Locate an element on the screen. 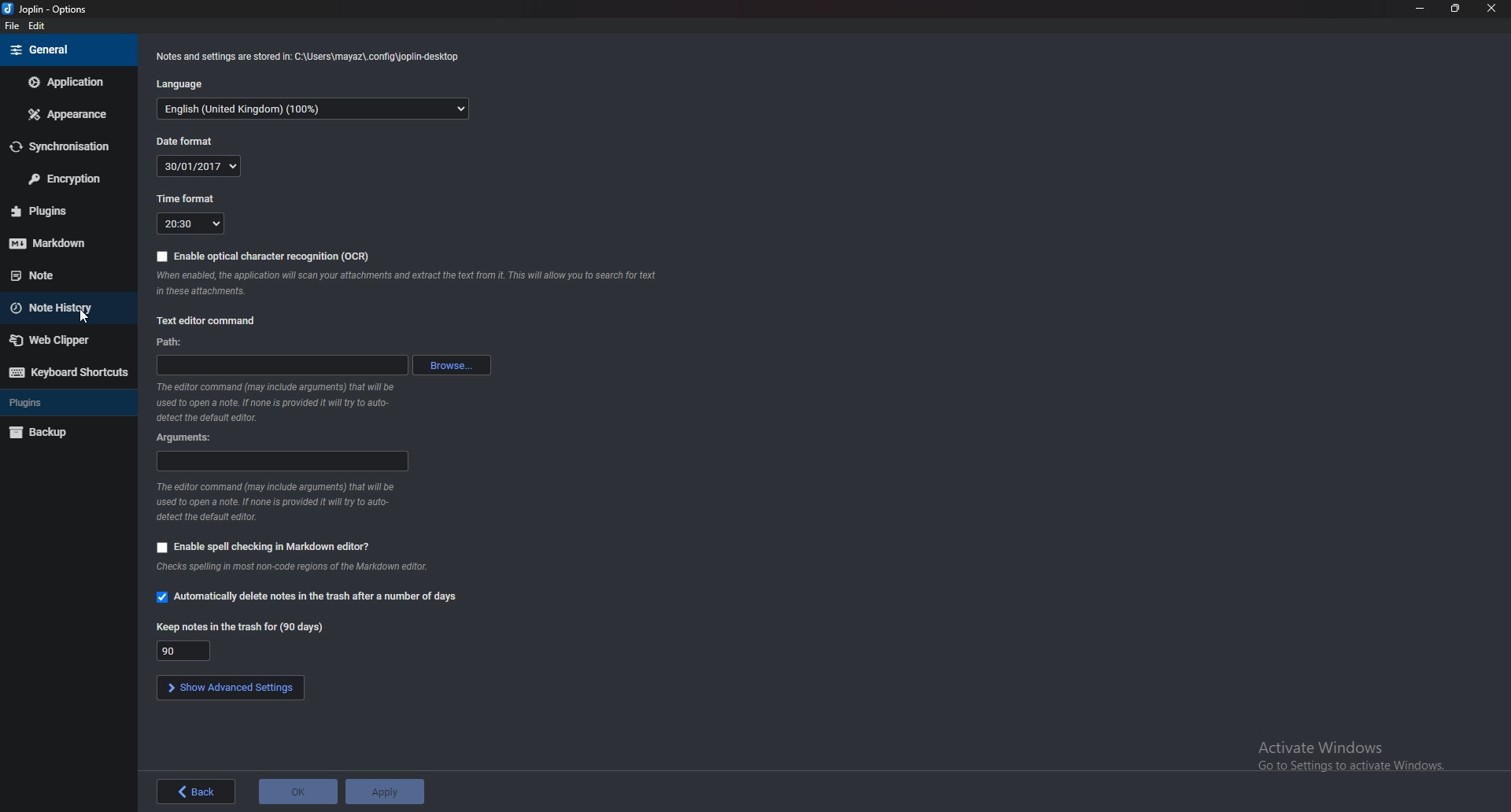 The width and height of the screenshot is (1511, 812). path is located at coordinates (170, 342).